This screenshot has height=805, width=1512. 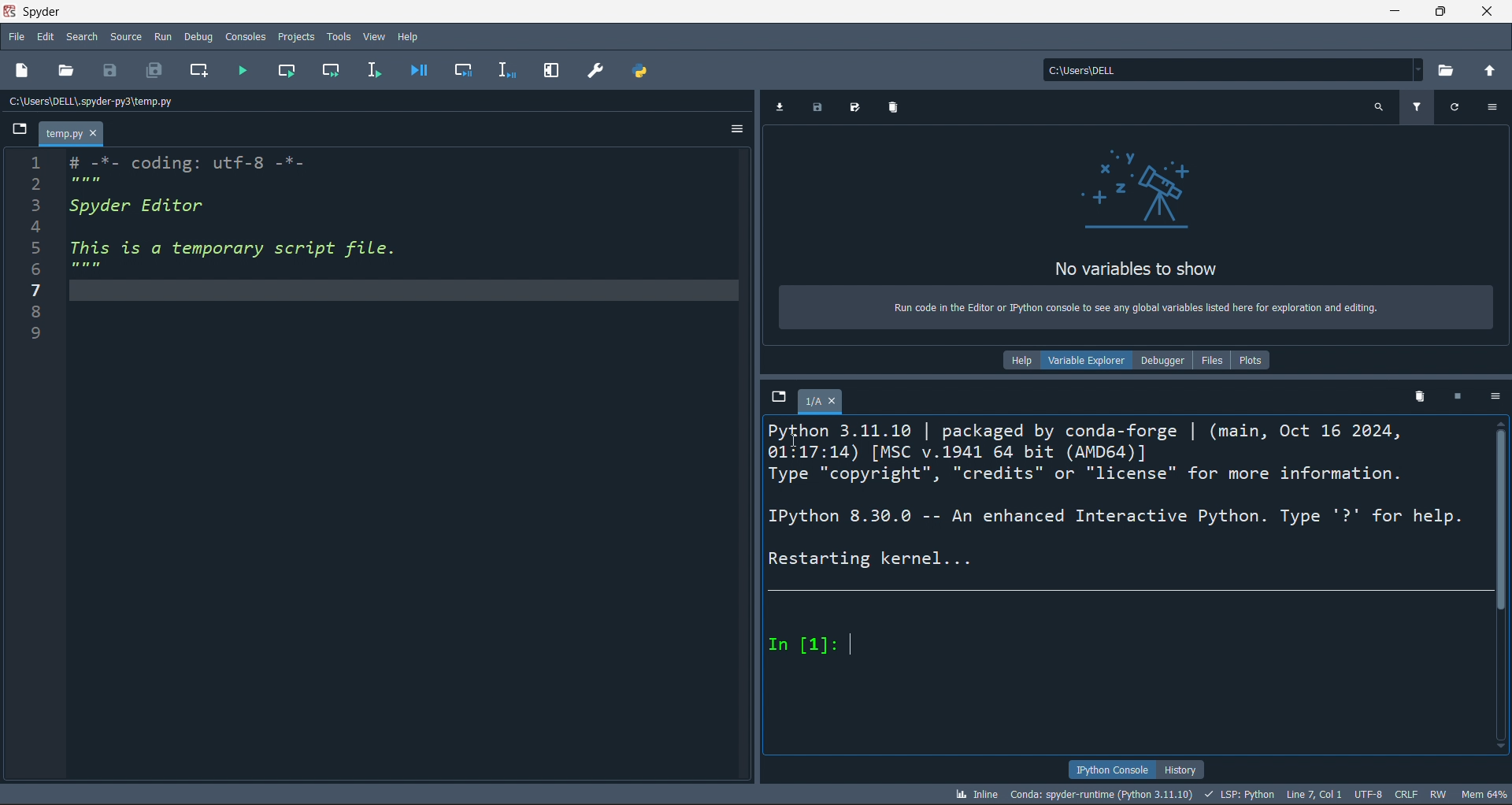 What do you see at coordinates (850, 643) in the screenshot?
I see `text cursor` at bounding box center [850, 643].